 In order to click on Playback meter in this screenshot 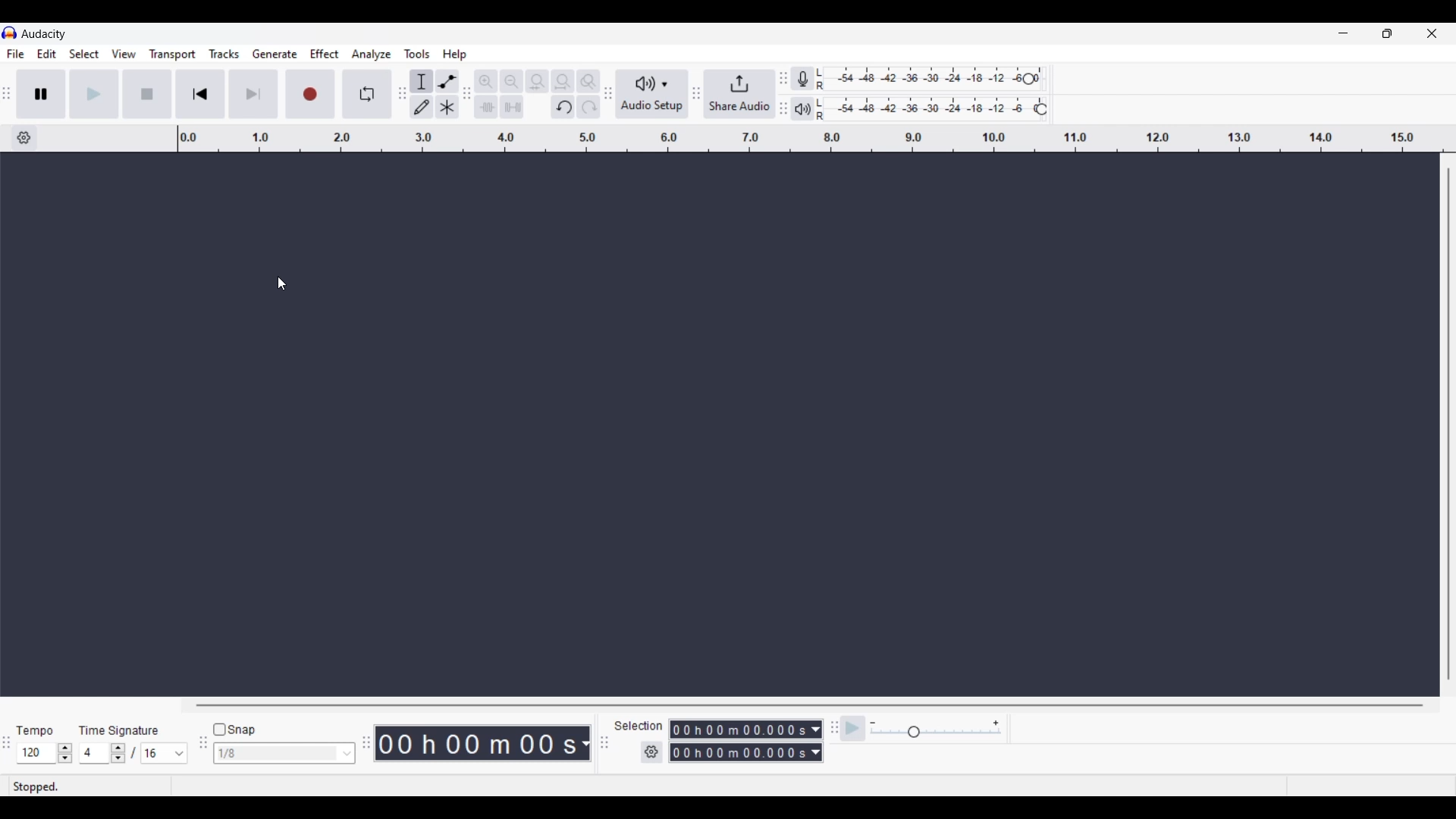, I will do `click(803, 108)`.